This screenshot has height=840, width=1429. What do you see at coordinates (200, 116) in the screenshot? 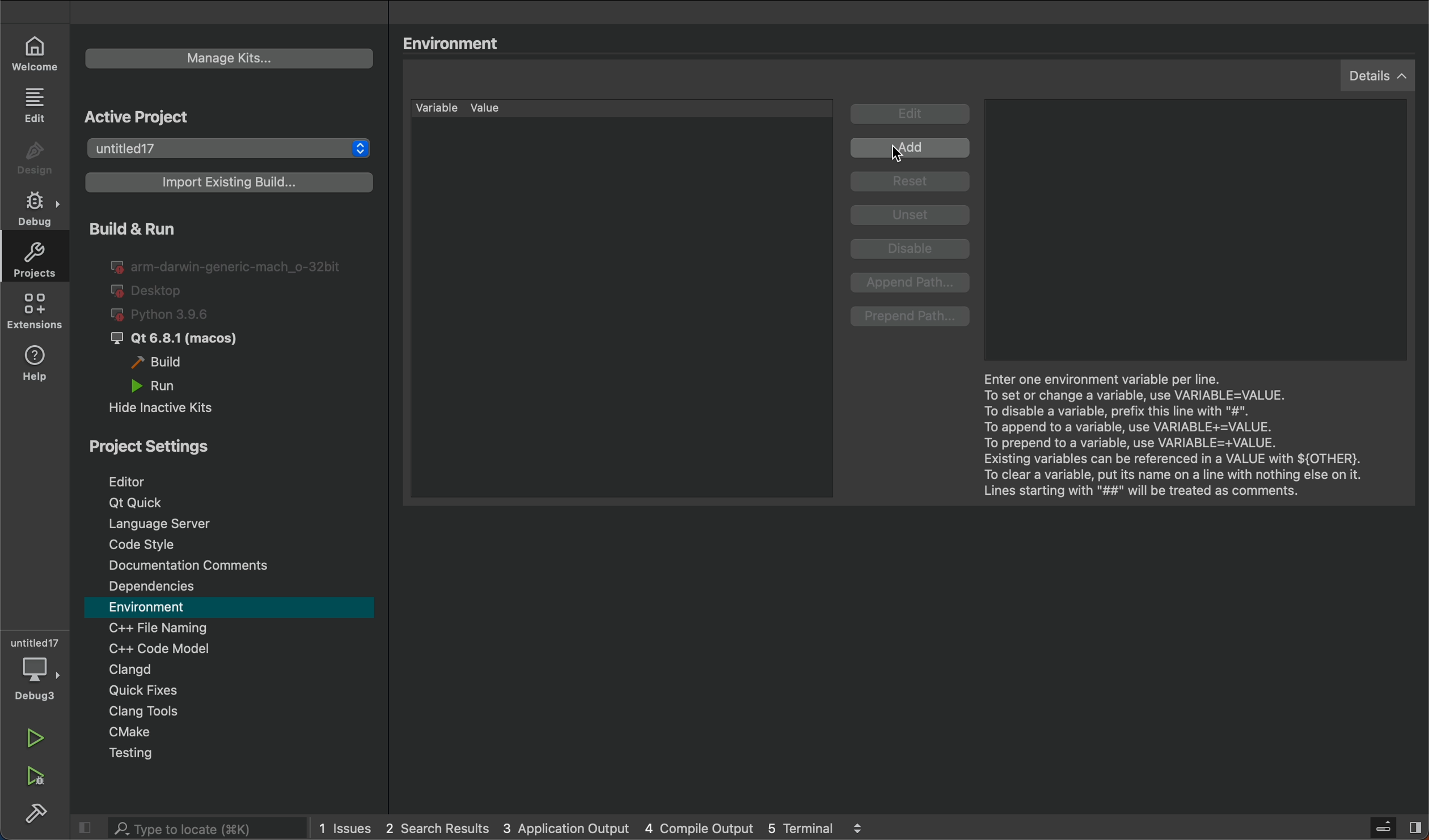
I see `Active Project` at bounding box center [200, 116].